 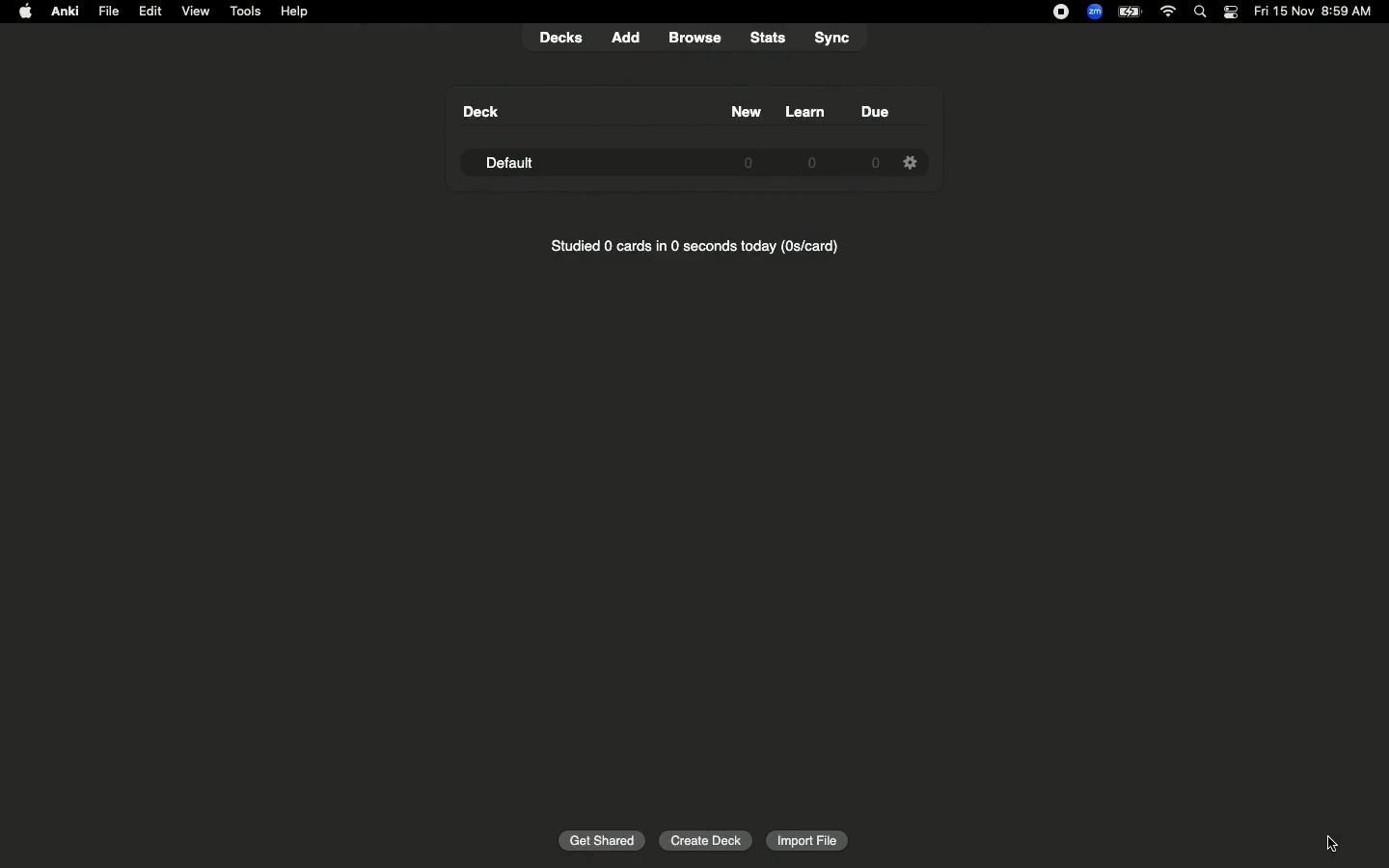 What do you see at coordinates (697, 246) in the screenshot?
I see `Studied 0 cards in 0 seconds` at bounding box center [697, 246].